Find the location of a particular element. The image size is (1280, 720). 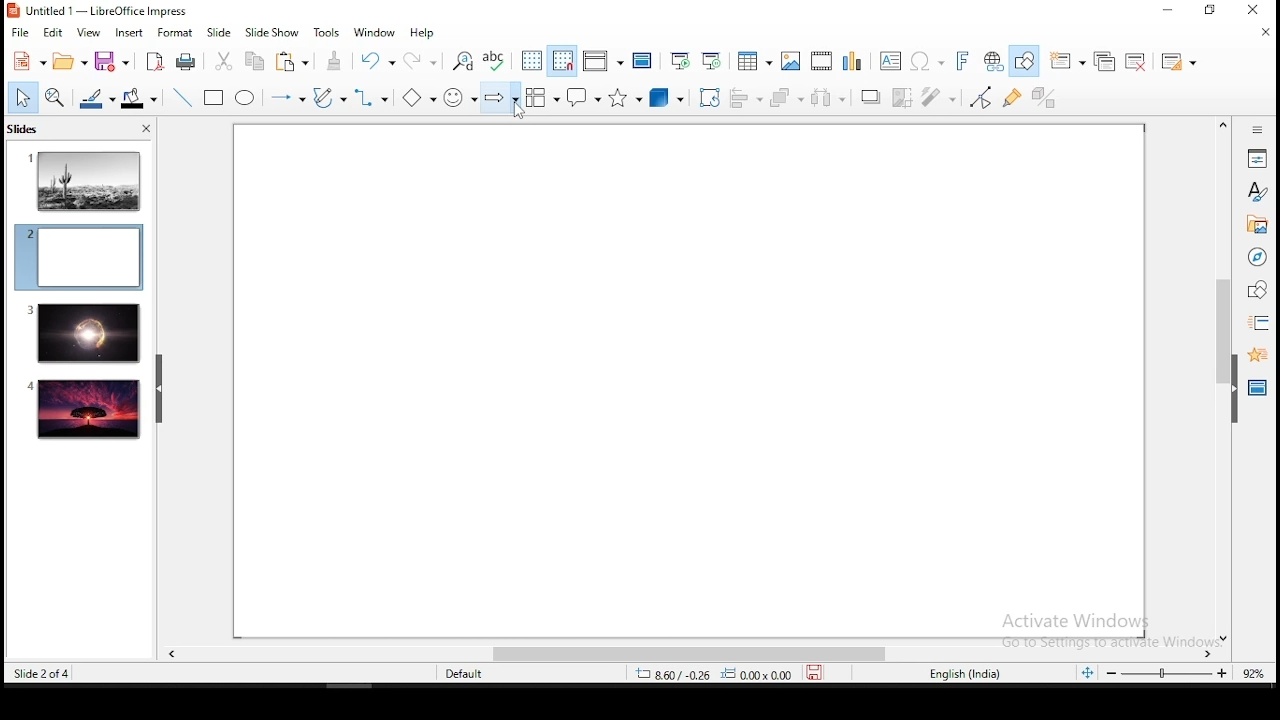

default is located at coordinates (466, 675).